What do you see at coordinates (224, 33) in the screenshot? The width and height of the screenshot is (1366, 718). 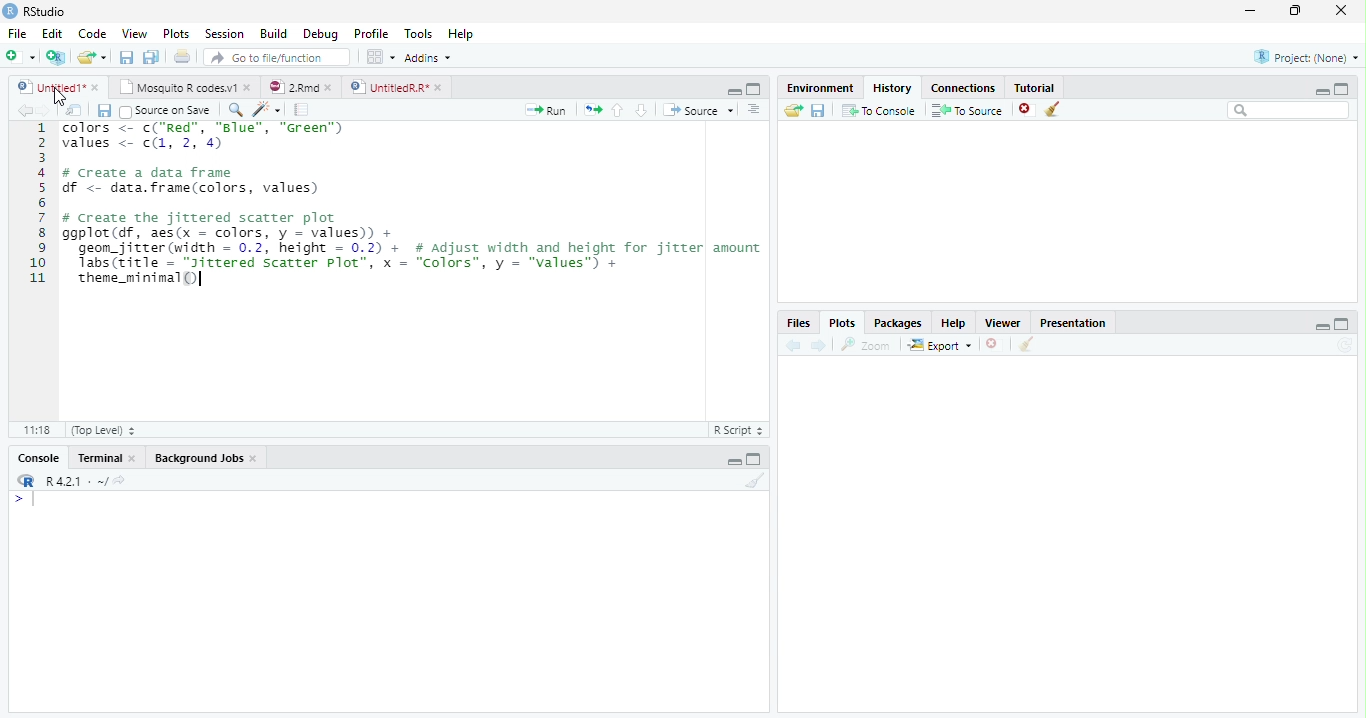 I see `Session` at bounding box center [224, 33].